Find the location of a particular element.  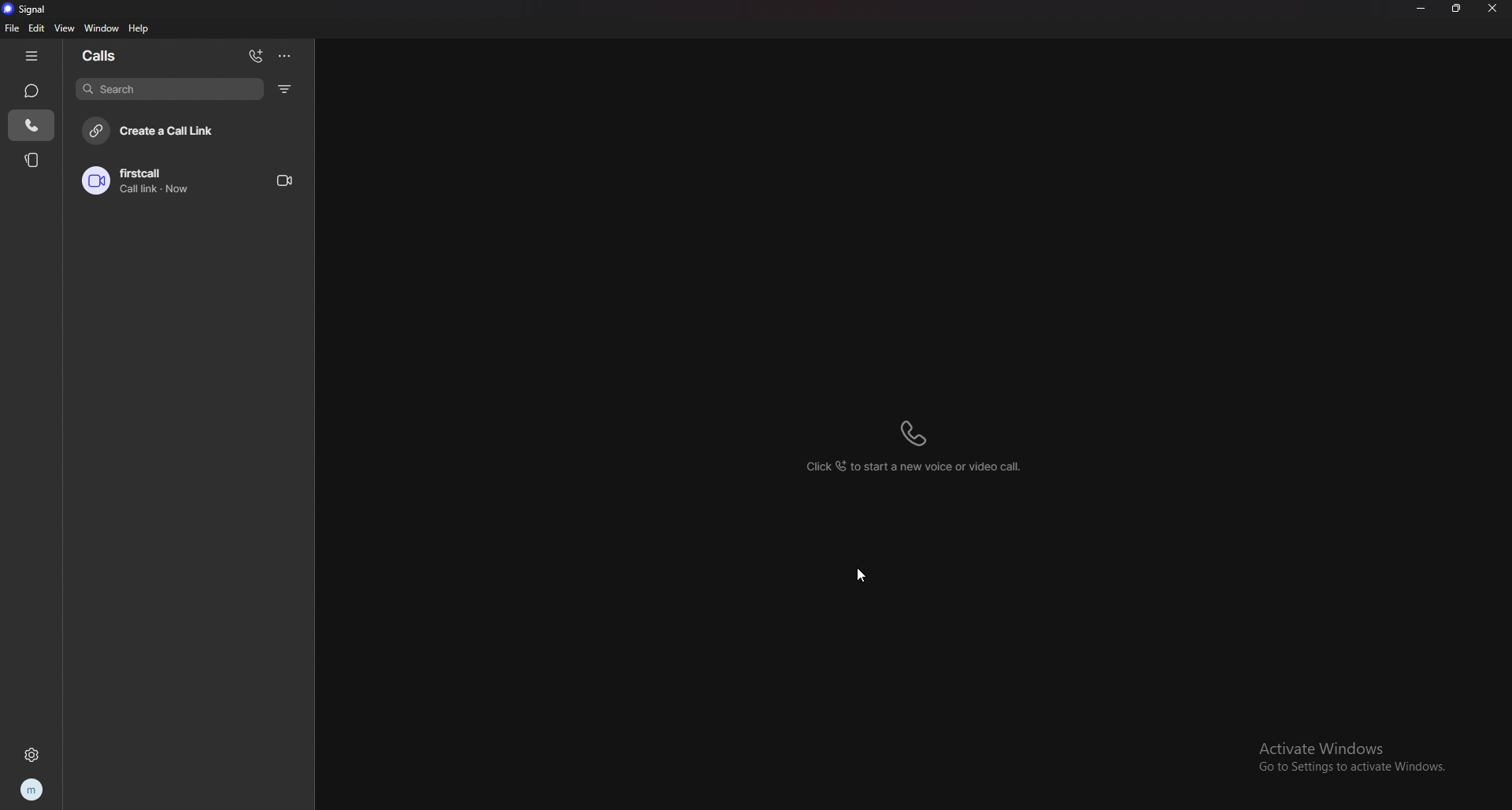

calls is located at coordinates (32, 125).